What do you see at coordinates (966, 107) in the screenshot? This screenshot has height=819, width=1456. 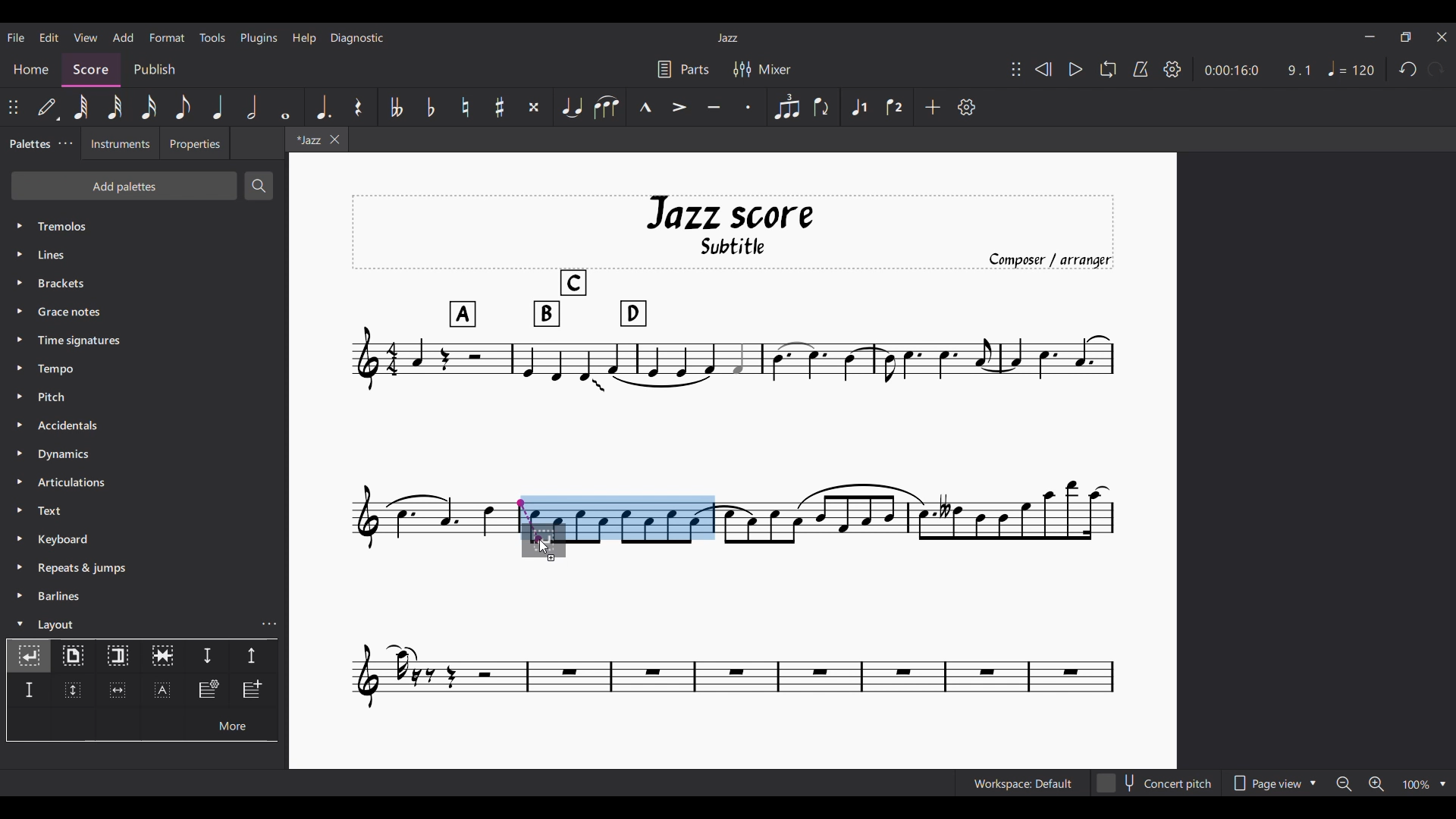 I see `Customize settings` at bounding box center [966, 107].